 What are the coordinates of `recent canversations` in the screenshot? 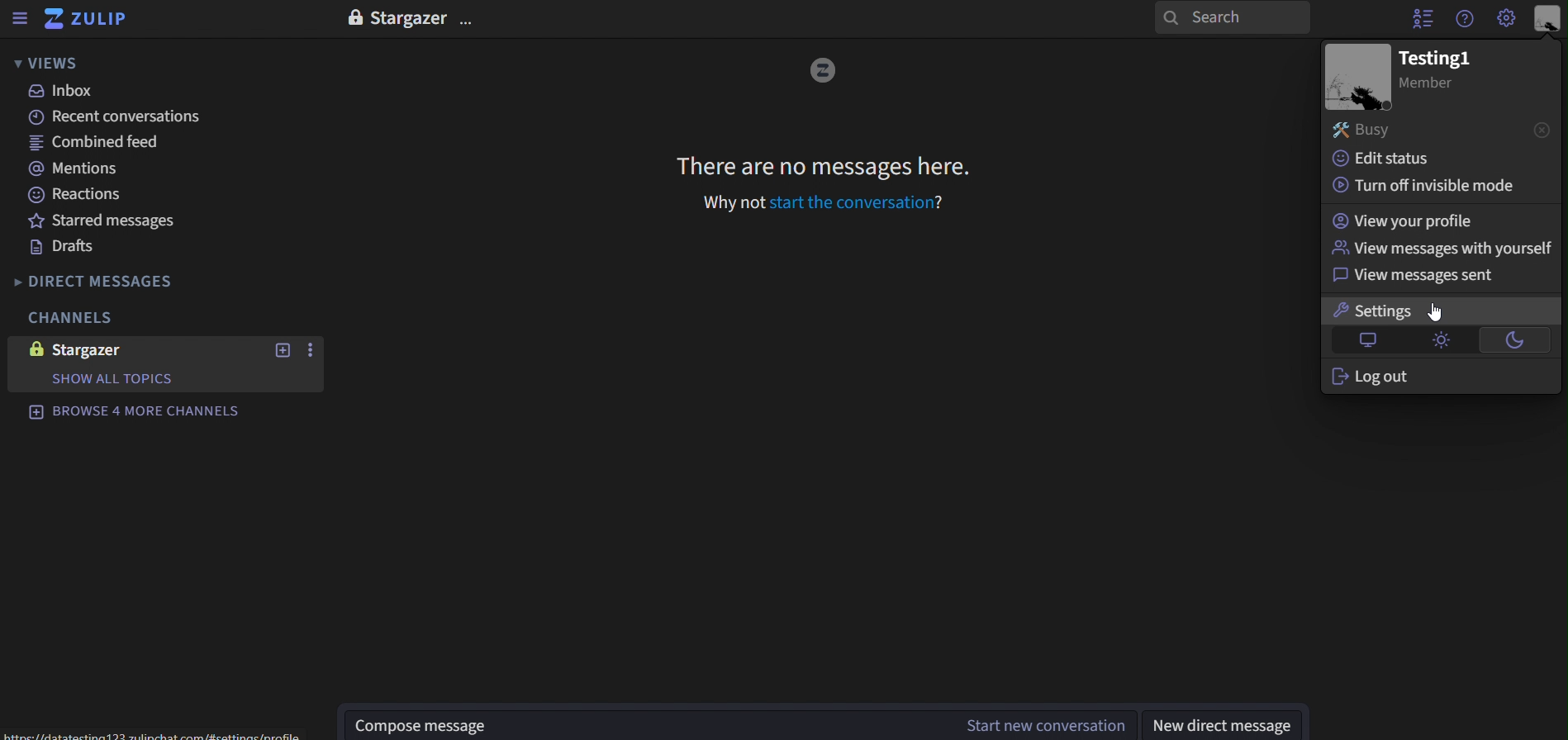 It's located at (120, 116).